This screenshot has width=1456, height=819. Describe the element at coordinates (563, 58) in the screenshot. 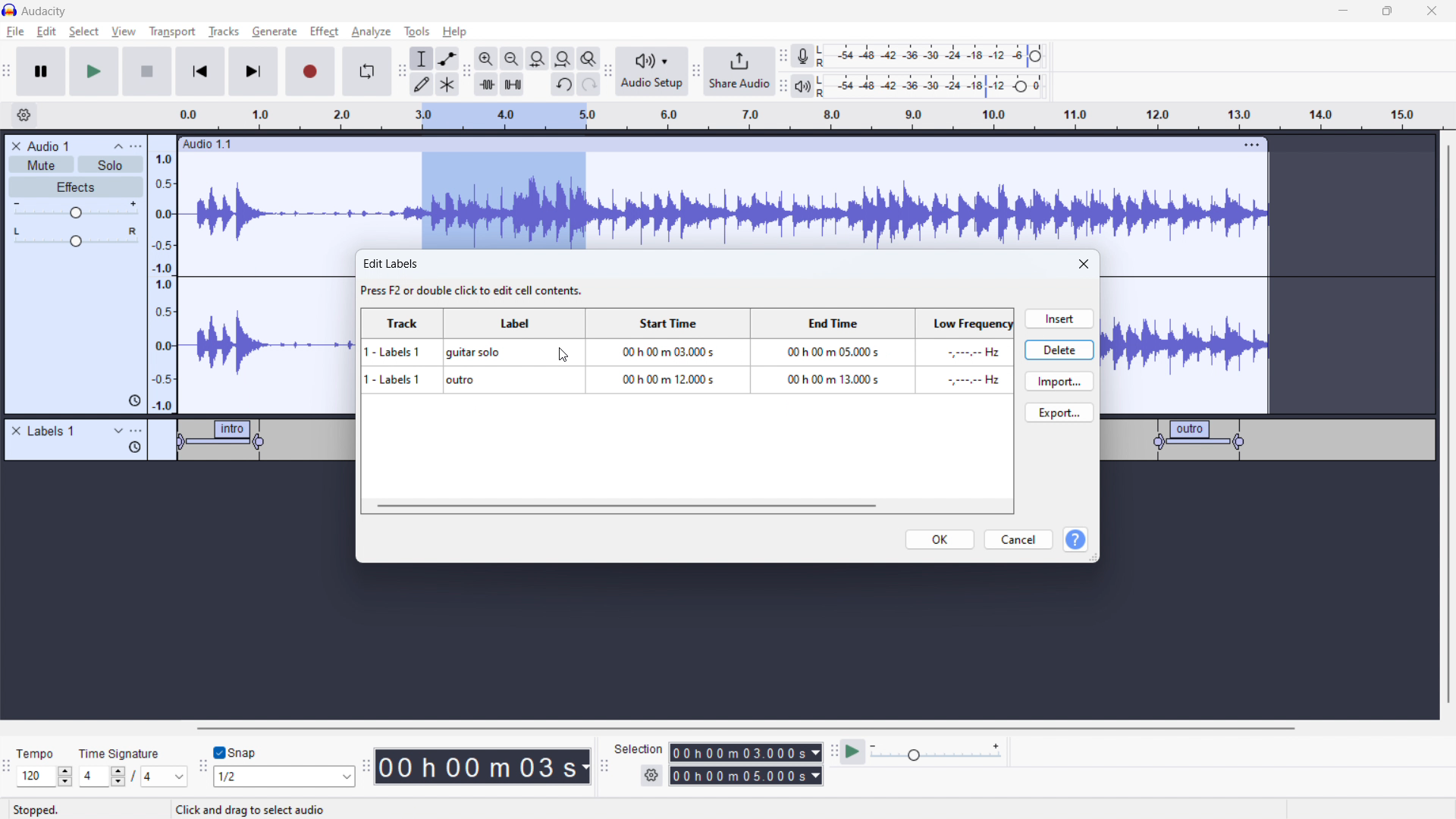

I see `set project to width` at that location.